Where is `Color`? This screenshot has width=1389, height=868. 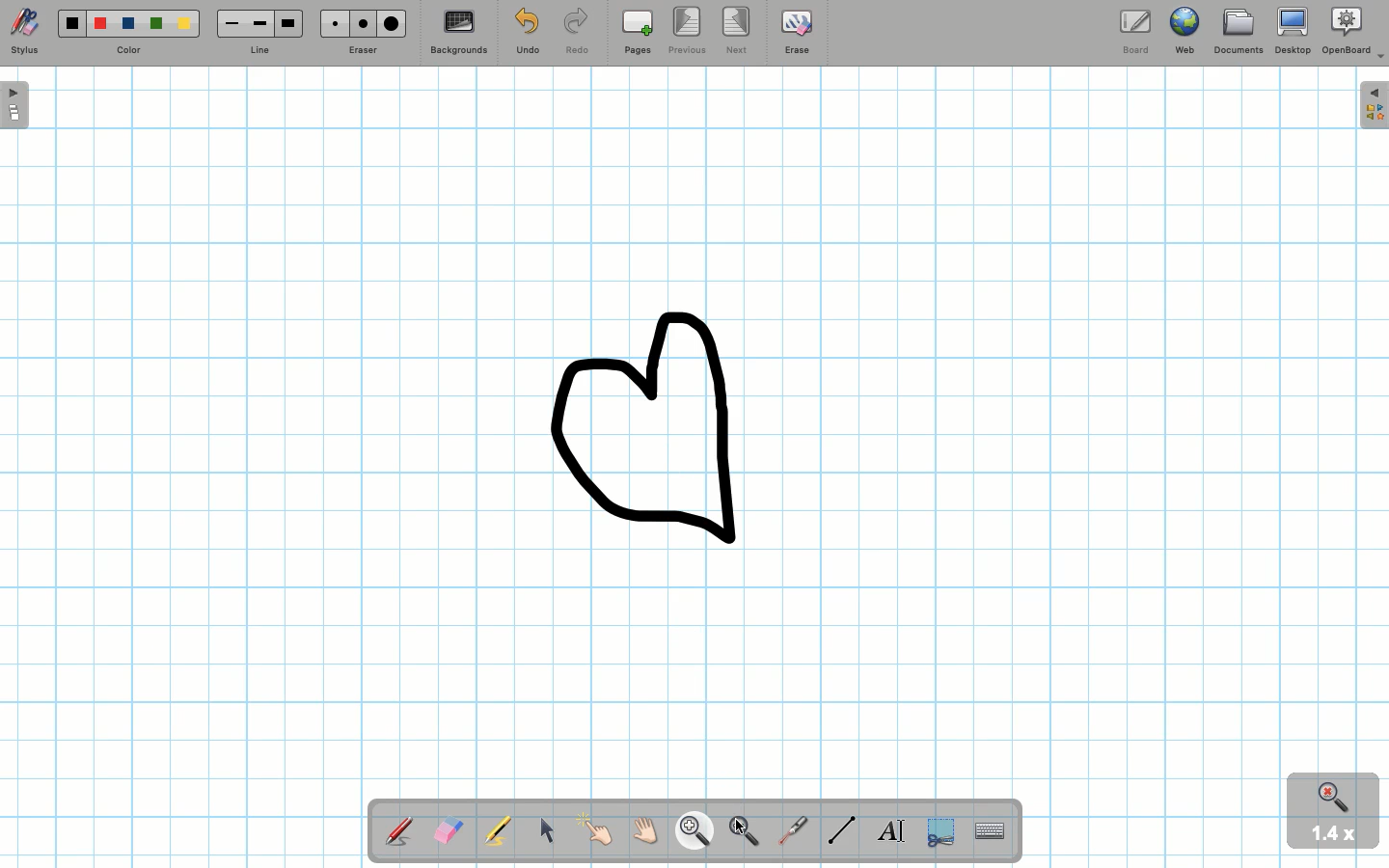 Color is located at coordinates (129, 34).